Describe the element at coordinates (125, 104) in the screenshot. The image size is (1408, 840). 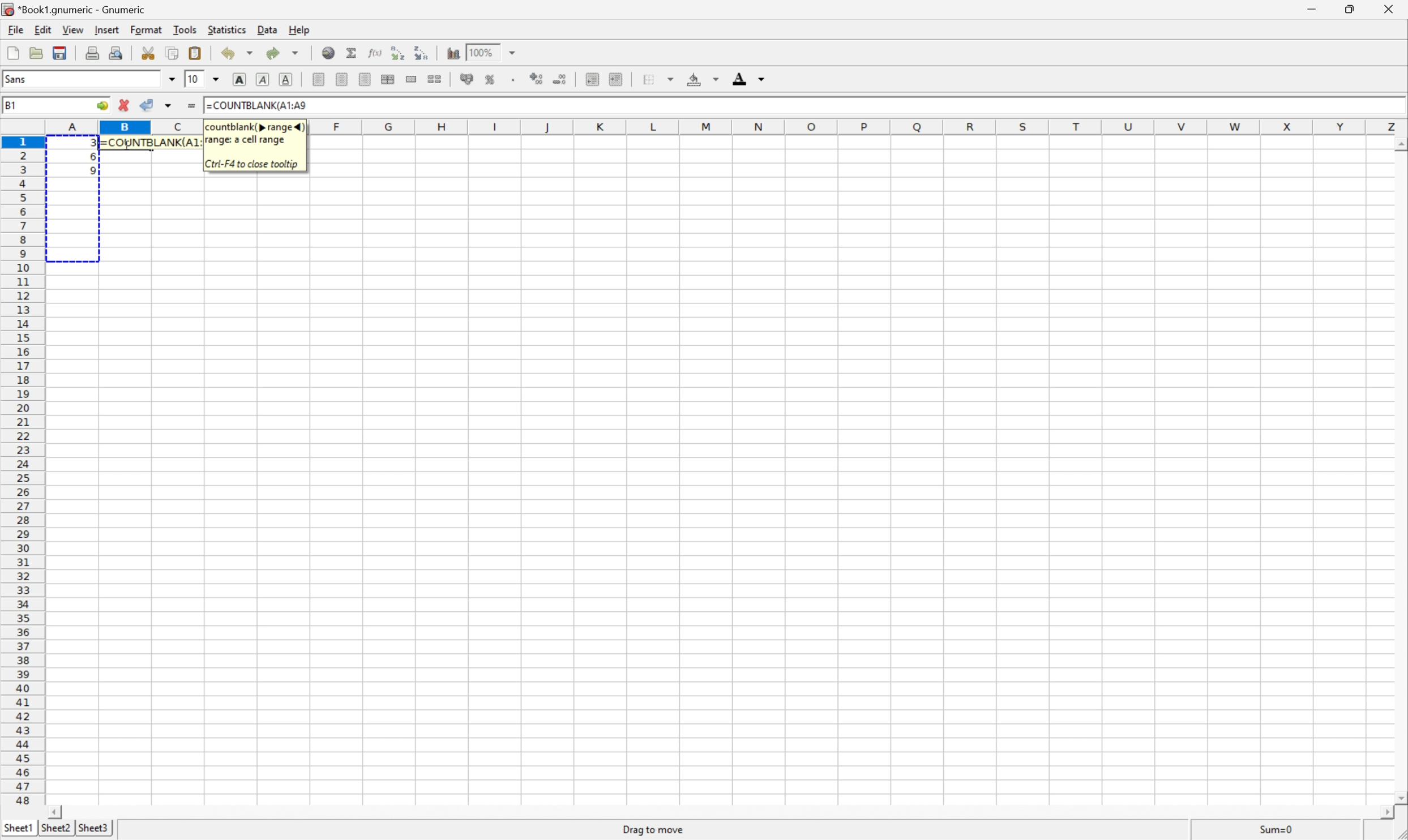
I see `Cancel changes` at that location.